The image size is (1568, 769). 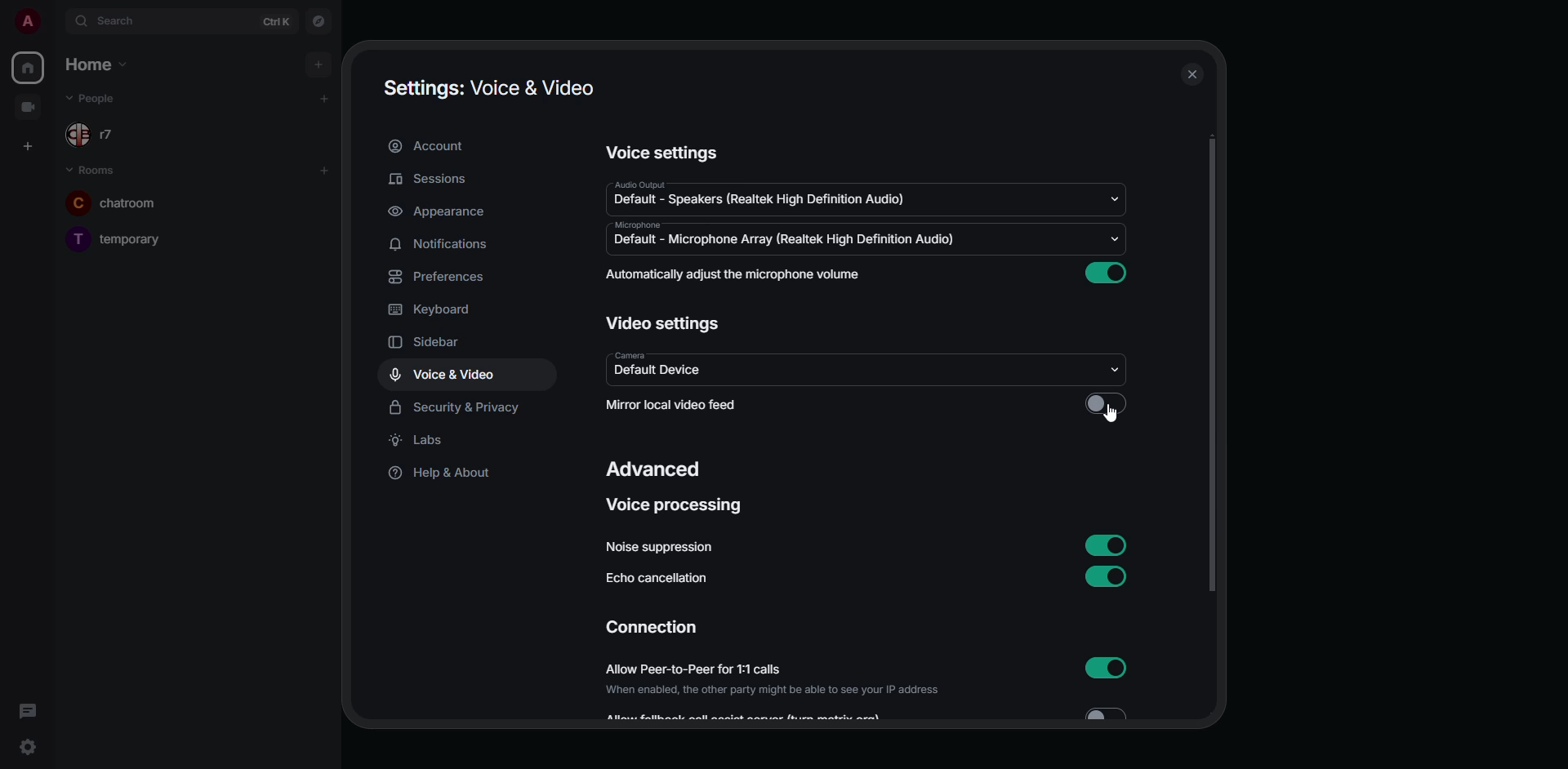 What do you see at coordinates (773, 691) in the screenshot?
I see `When enabled, the other party might be able to see your IP address` at bounding box center [773, 691].